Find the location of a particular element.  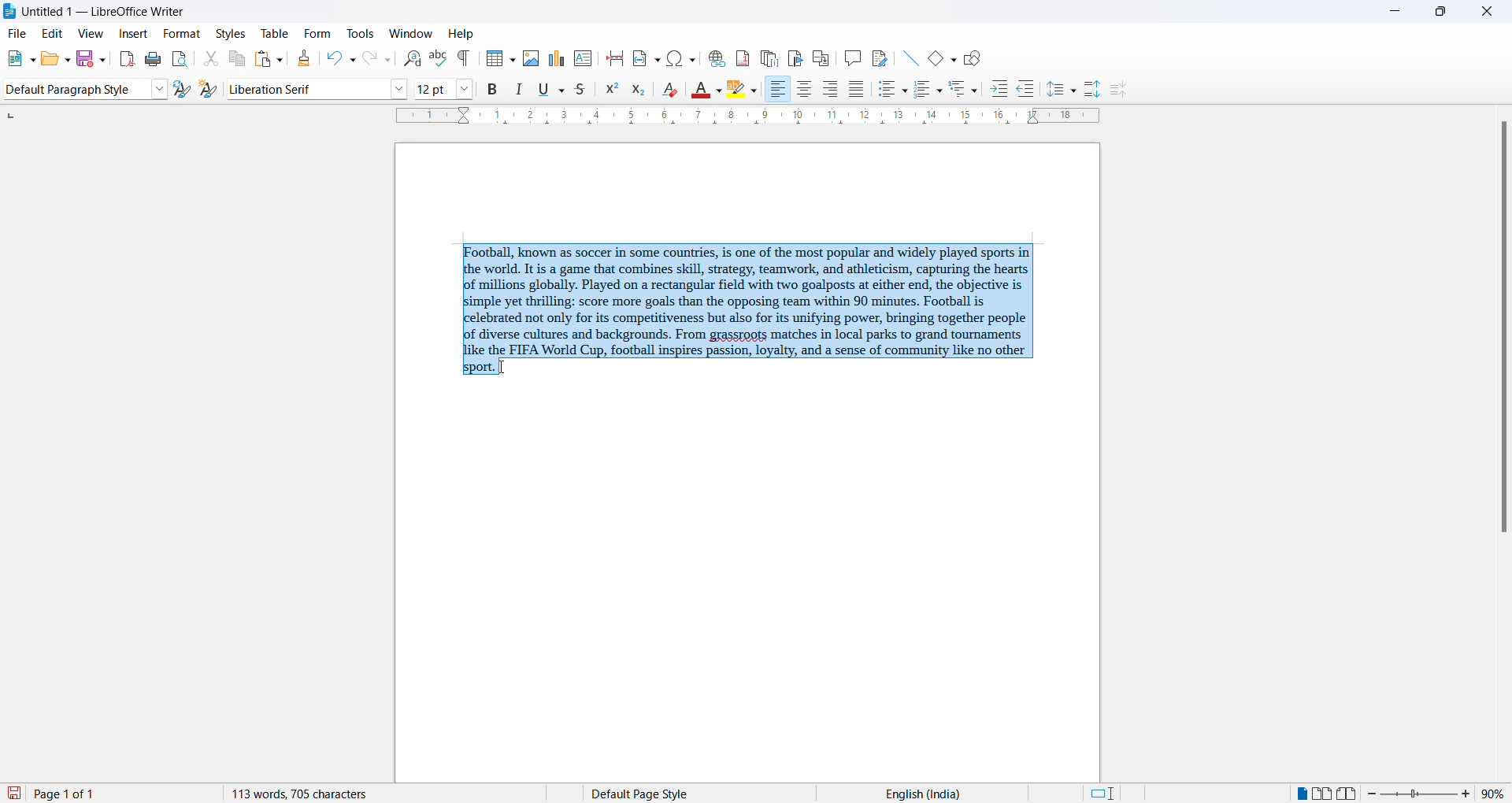

toggle formatting marks is located at coordinates (465, 60).